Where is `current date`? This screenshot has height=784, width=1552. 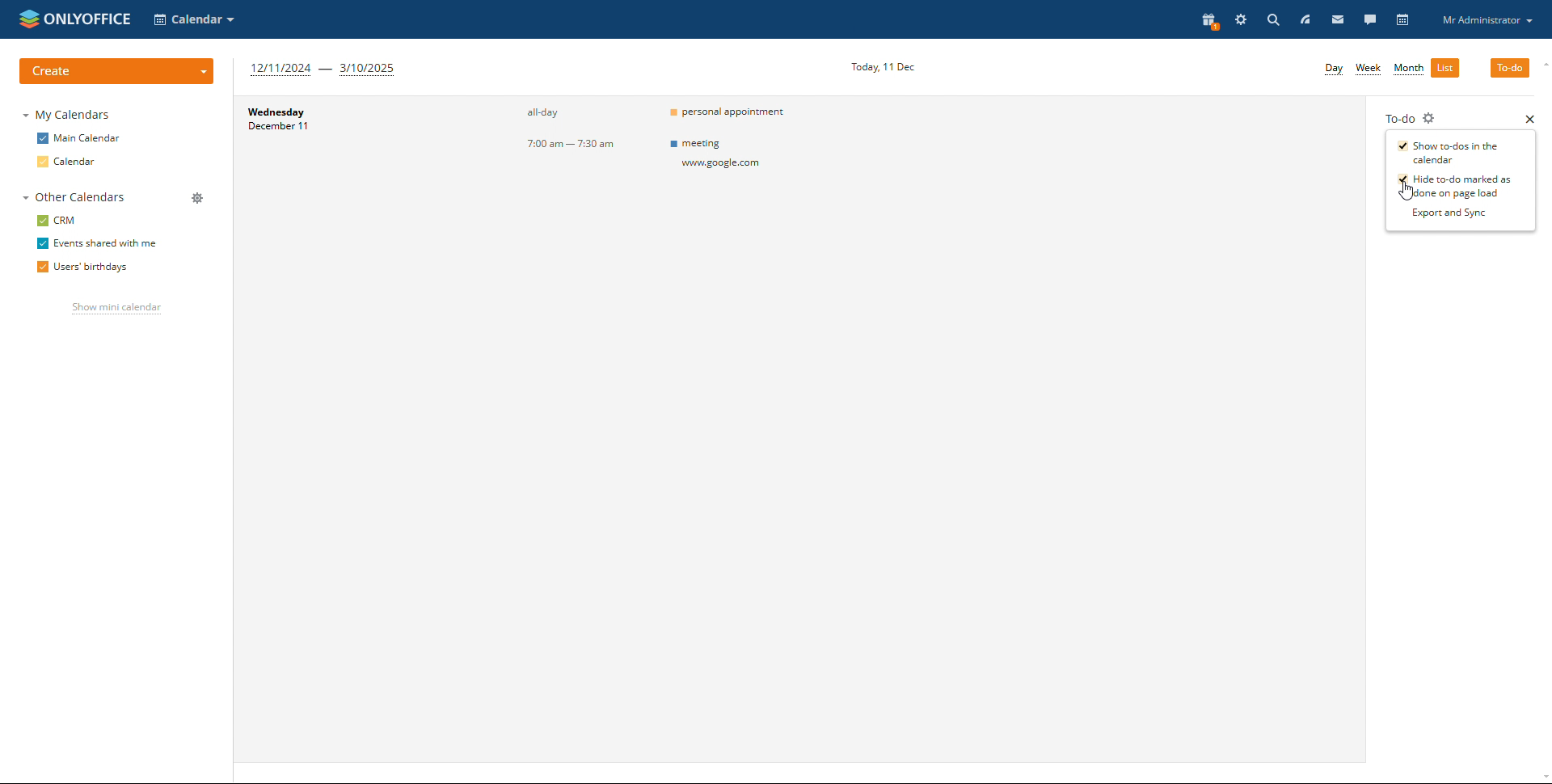
current date is located at coordinates (884, 66).